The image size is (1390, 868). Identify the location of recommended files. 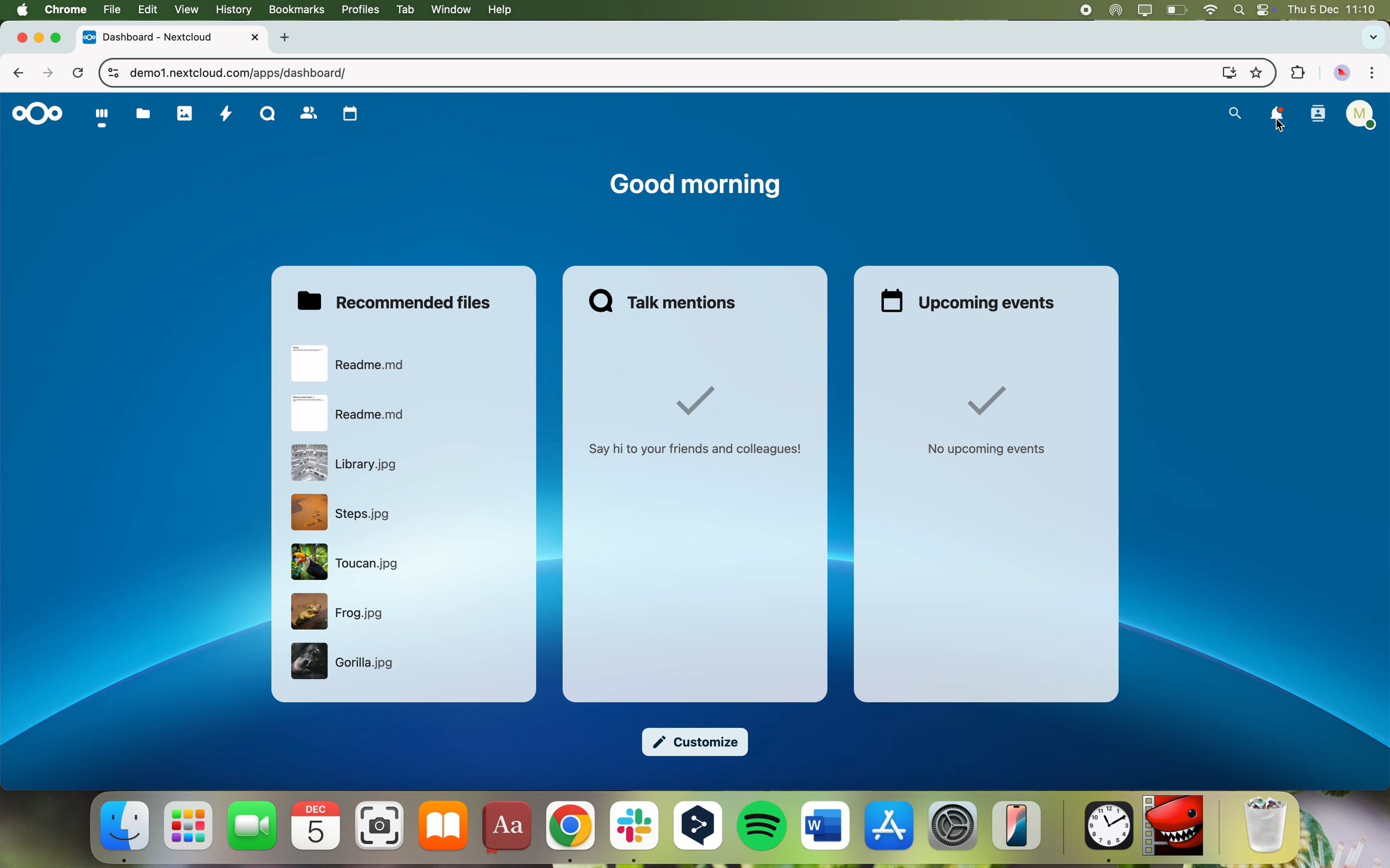
(398, 300).